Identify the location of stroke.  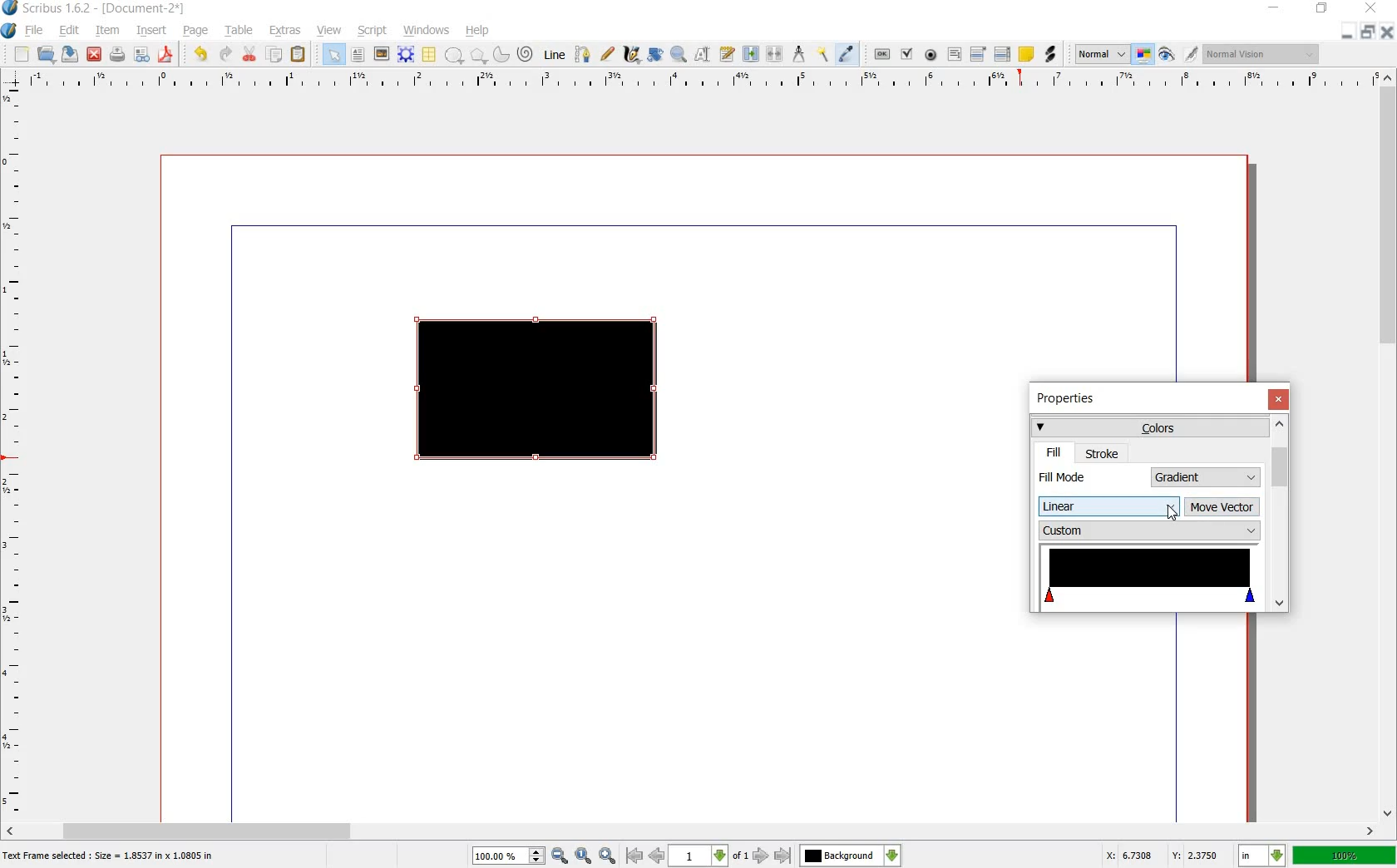
(1103, 453).